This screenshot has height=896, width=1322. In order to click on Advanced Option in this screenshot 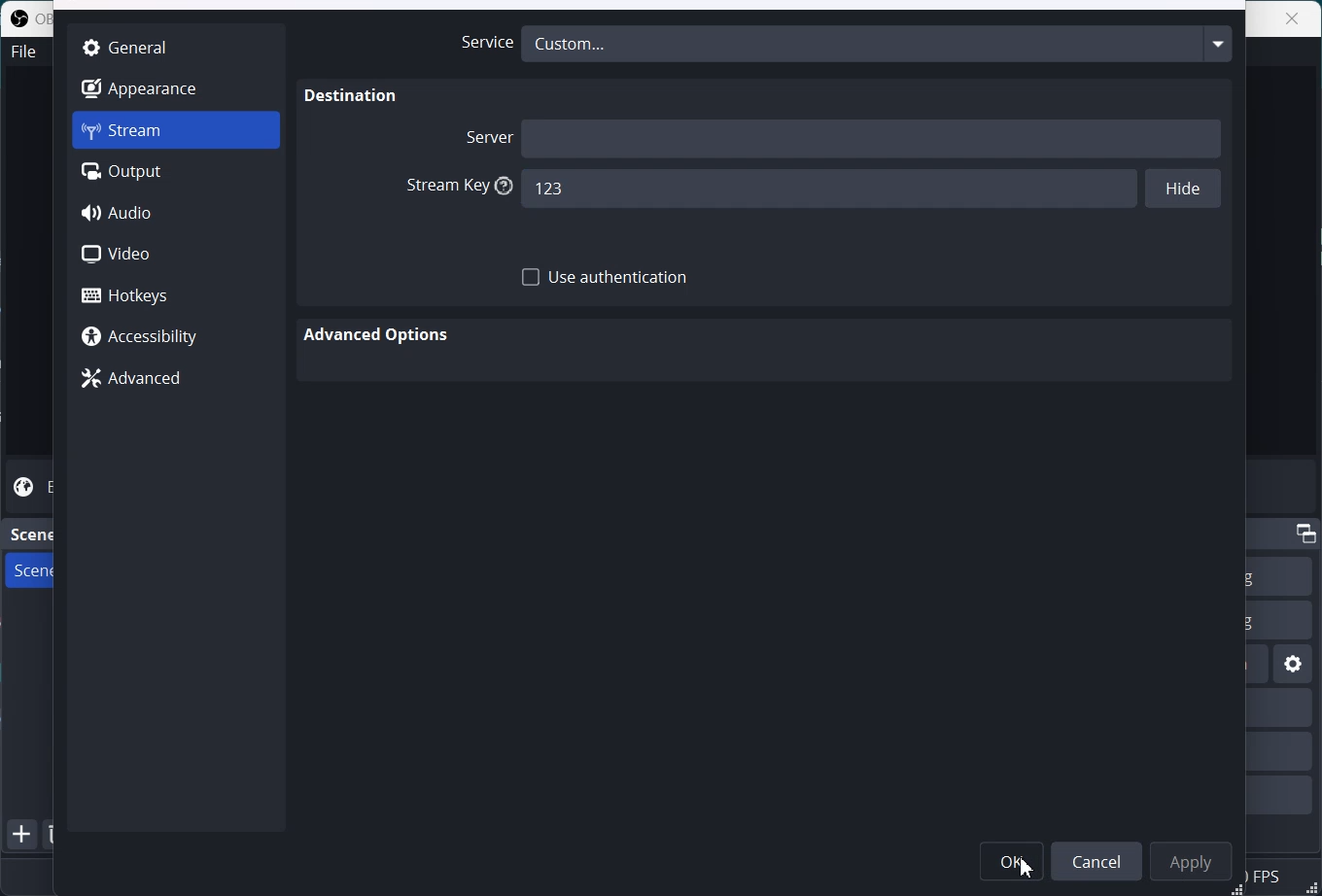, I will do `click(379, 335)`.